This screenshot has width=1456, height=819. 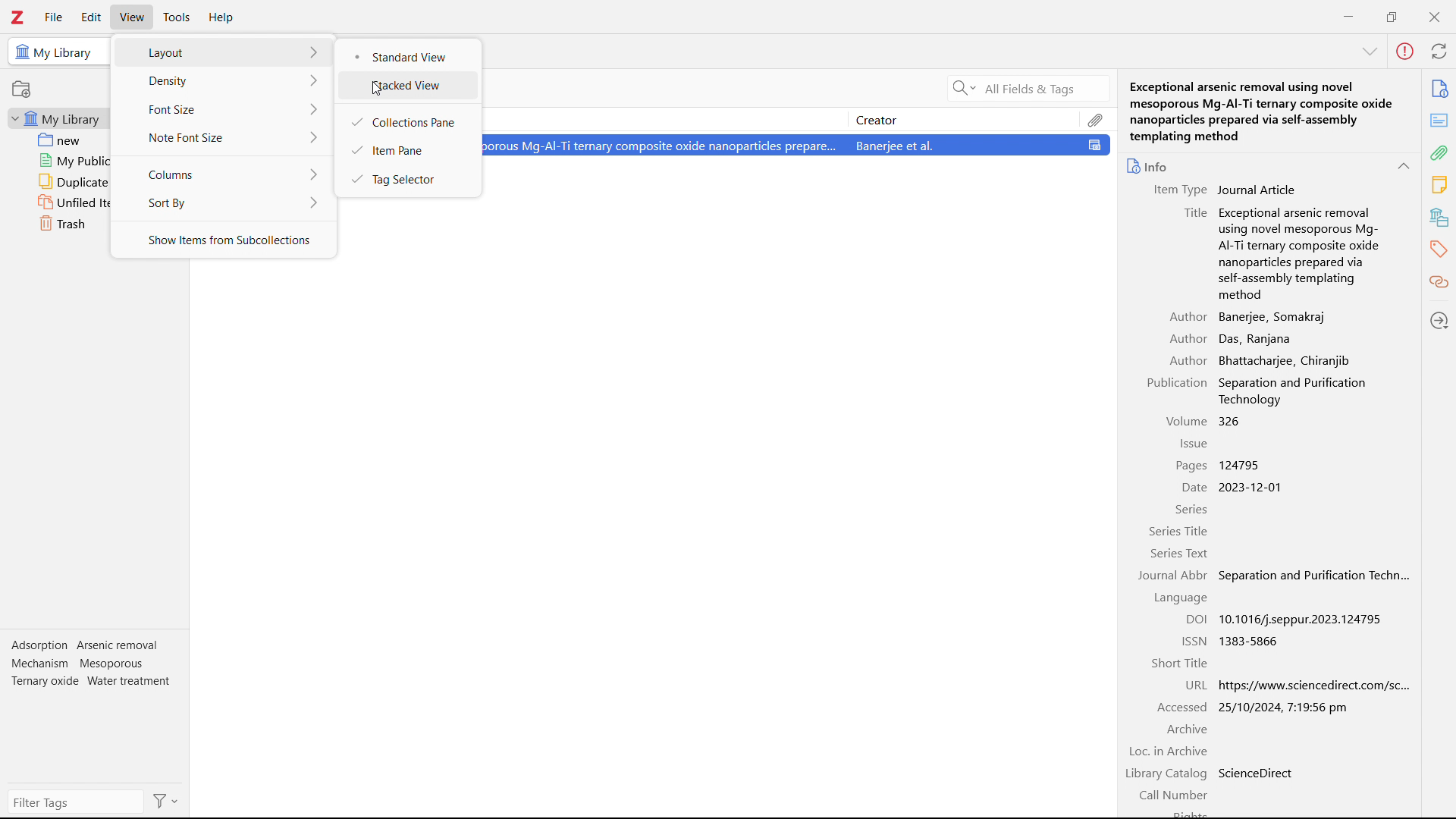 What do you see at coordinates (1194, 488) in the screenshot?
I see `Date` at bounding box center [1194, 488].